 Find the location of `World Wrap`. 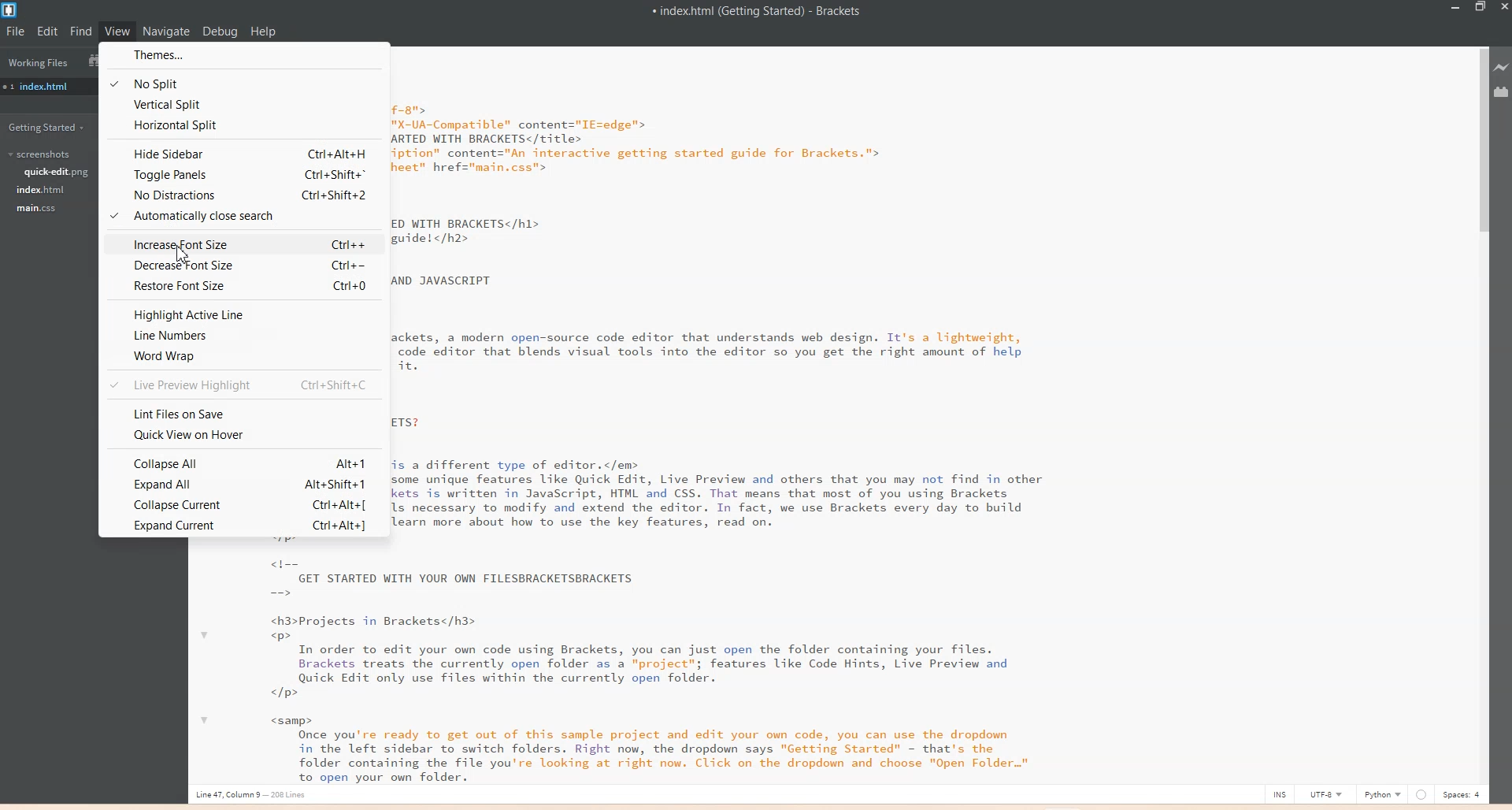

World Wrap is located at coordinates (244, 356).